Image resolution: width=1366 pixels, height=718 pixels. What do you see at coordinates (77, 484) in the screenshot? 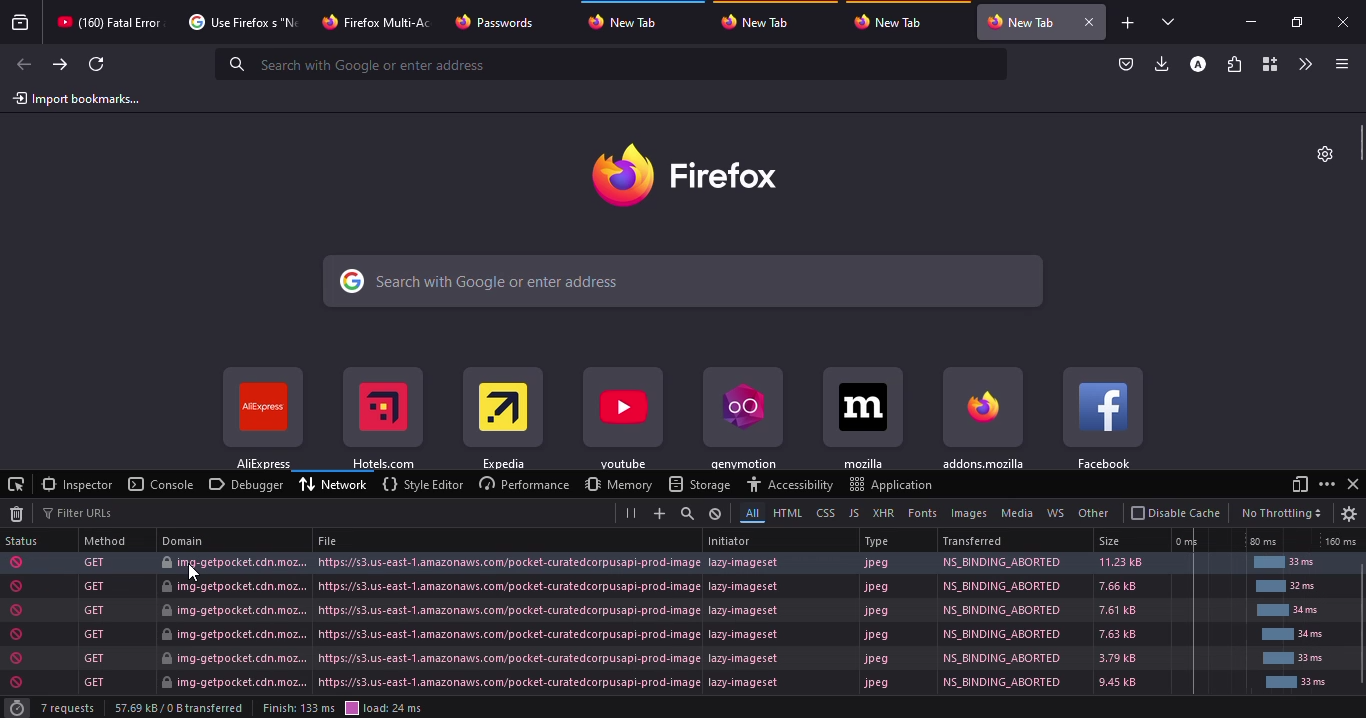
I see `inspector` at bounding box center [77, 484].